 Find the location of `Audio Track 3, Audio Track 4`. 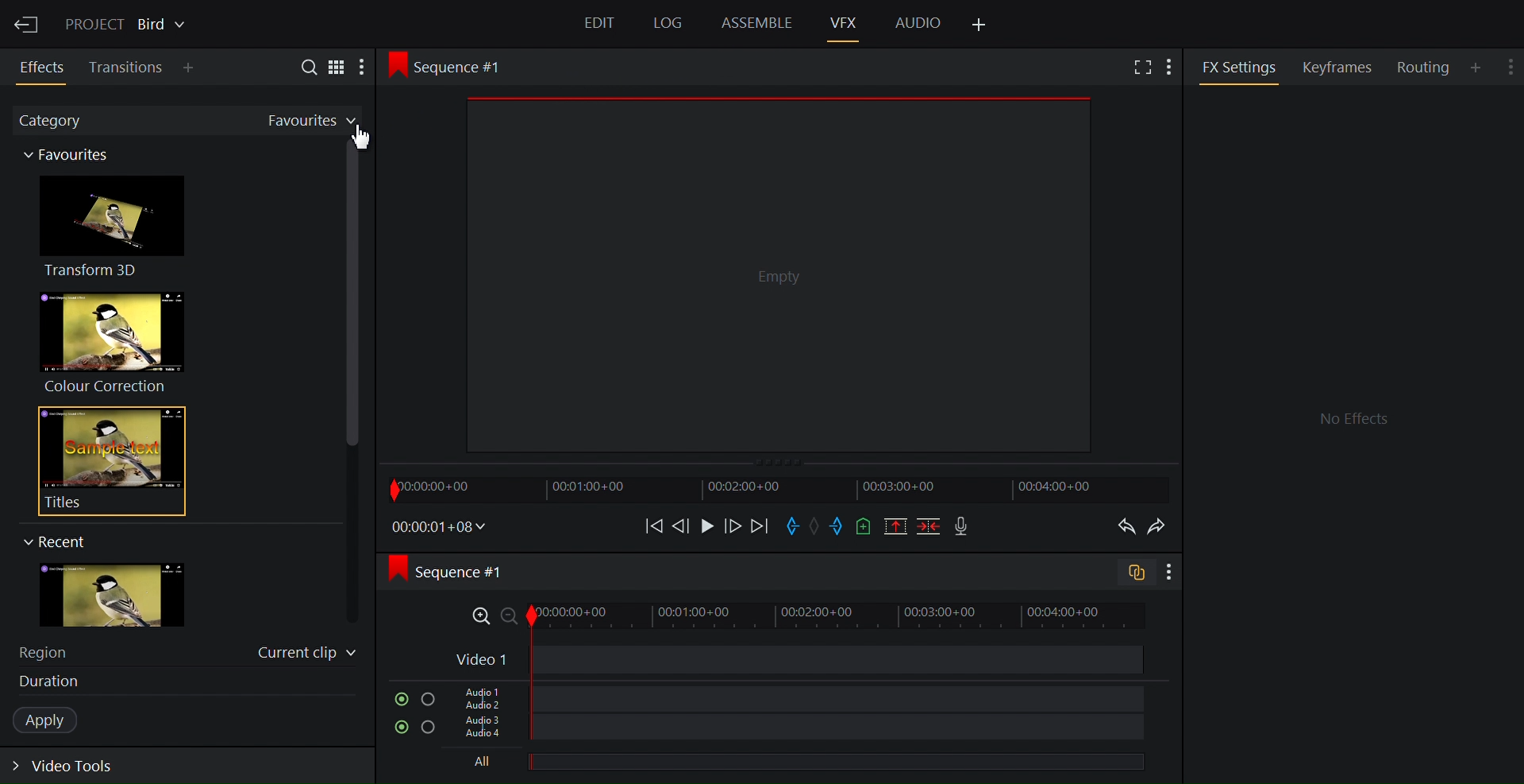

Audio Track 3, Audio Track 4 is located at coordinates (796, 731).